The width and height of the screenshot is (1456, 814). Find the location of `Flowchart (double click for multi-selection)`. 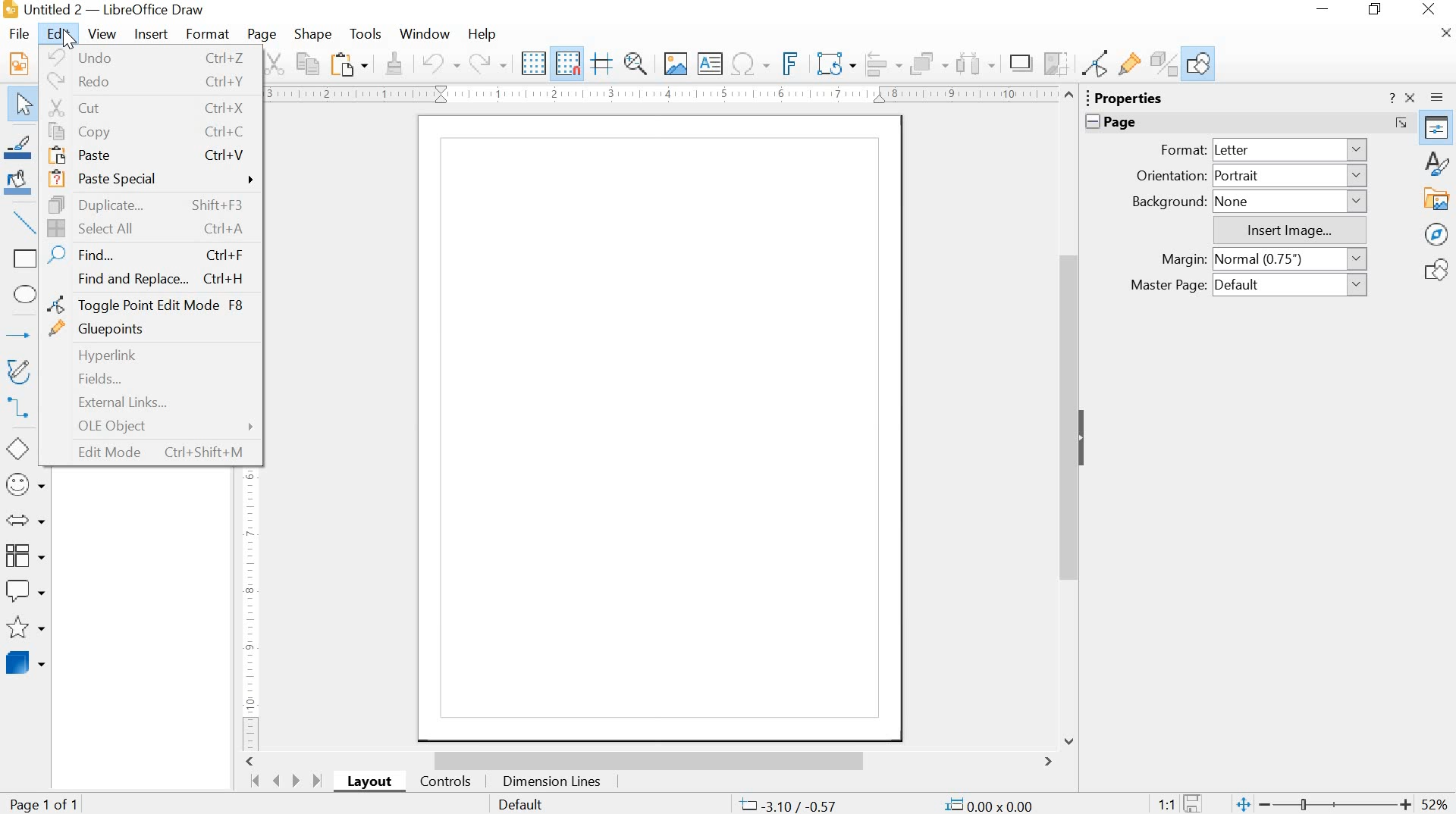

Flowchart (double click for multi-selection) is located at coordinates (25, 555).